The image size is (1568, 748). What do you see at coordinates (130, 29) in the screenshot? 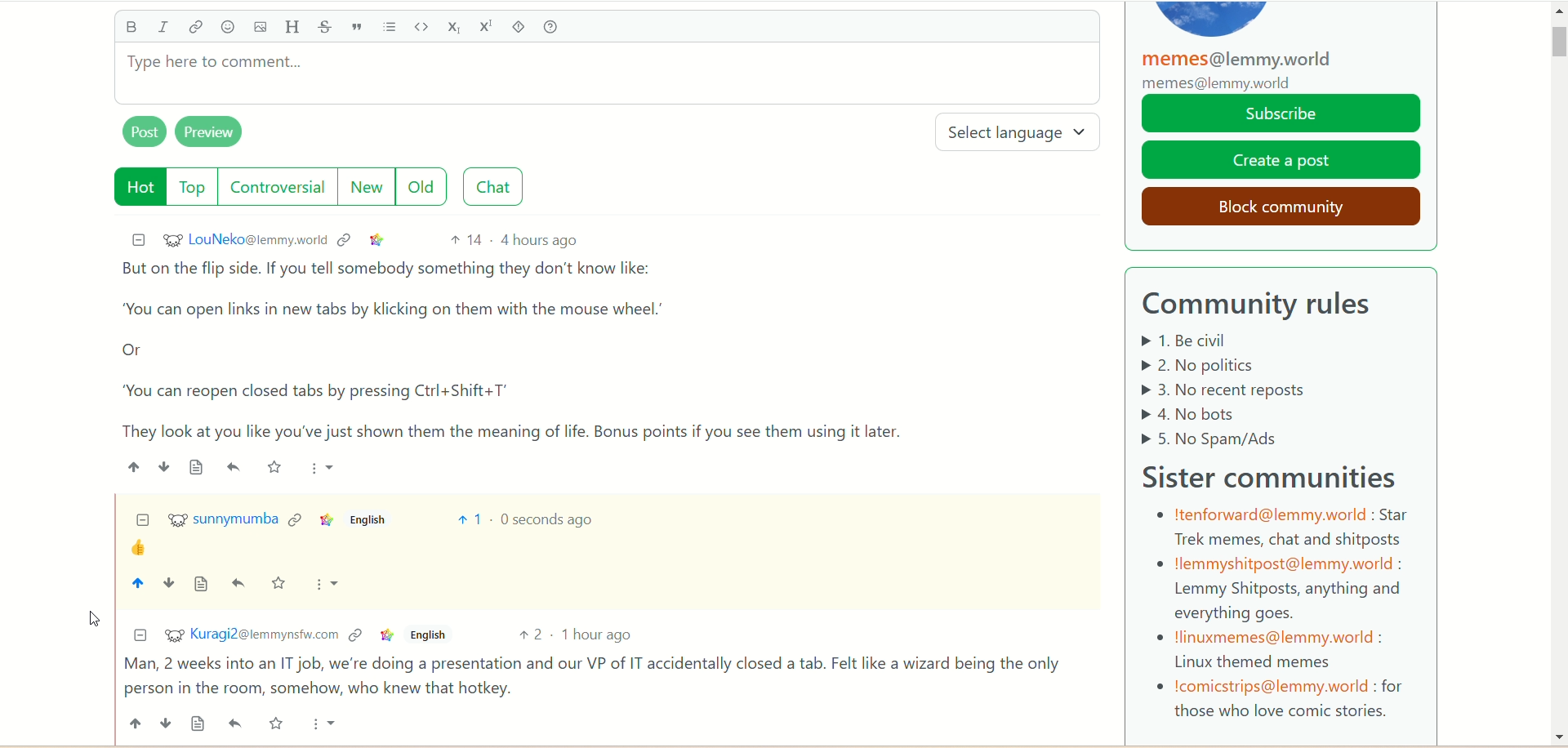
I see `bold` at bounding box center [130, 29].